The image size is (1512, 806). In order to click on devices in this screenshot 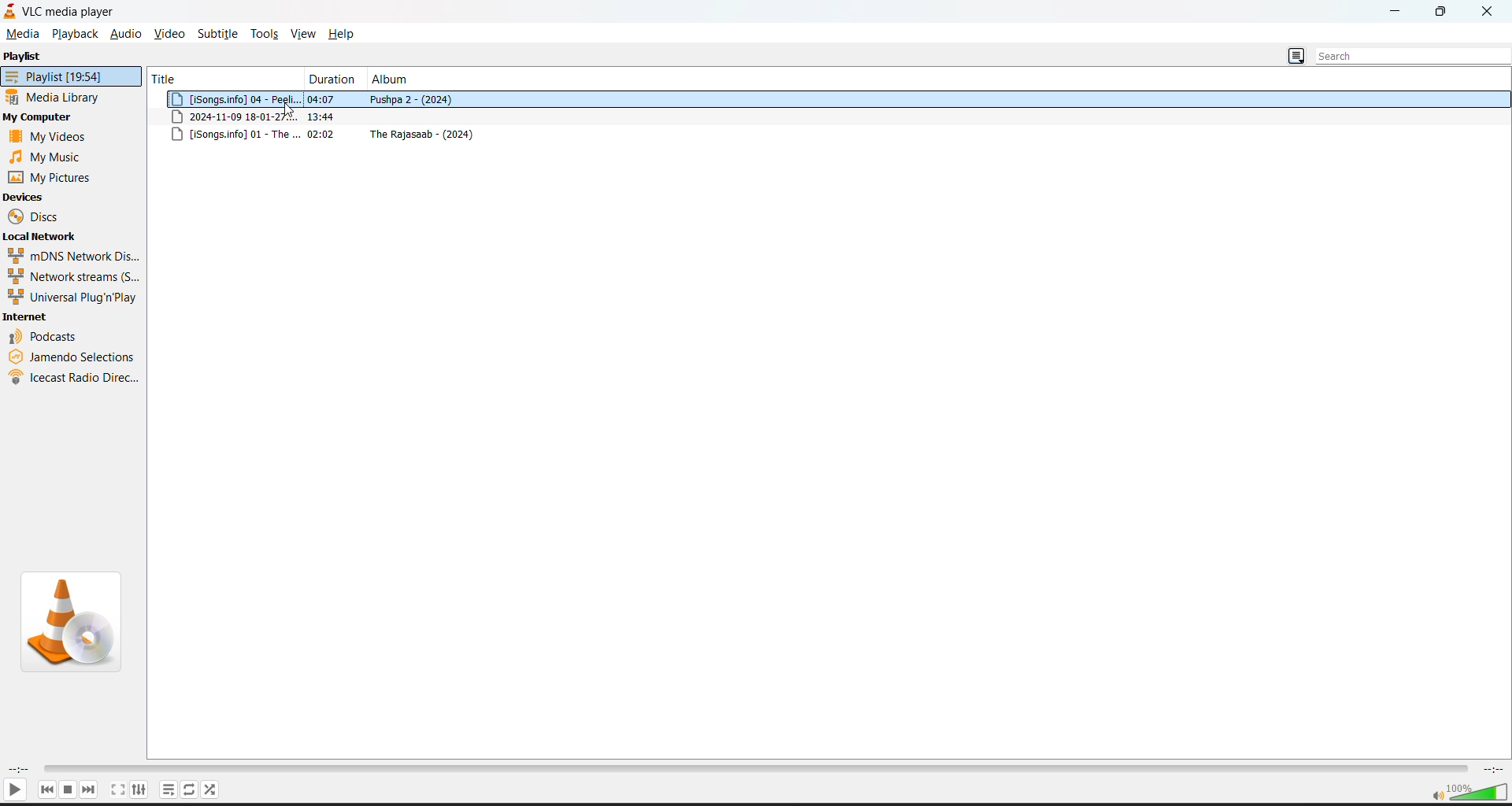, I will do `click(24, 197)`.